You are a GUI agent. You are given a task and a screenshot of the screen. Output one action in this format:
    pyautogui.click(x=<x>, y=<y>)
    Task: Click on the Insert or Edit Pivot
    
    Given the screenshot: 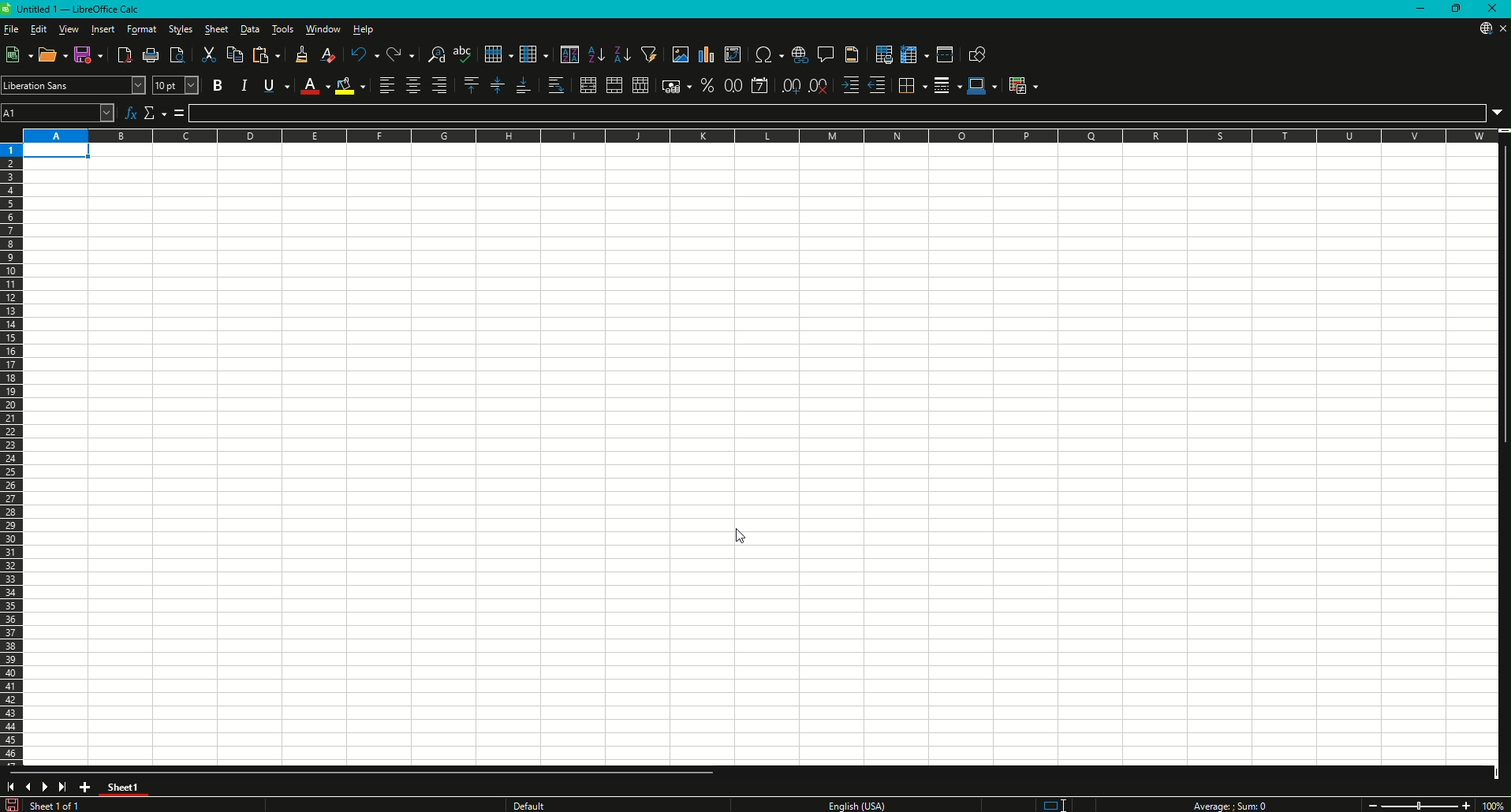 What is the action you would take?
    pyautogui.click(x=733, y=54)
    